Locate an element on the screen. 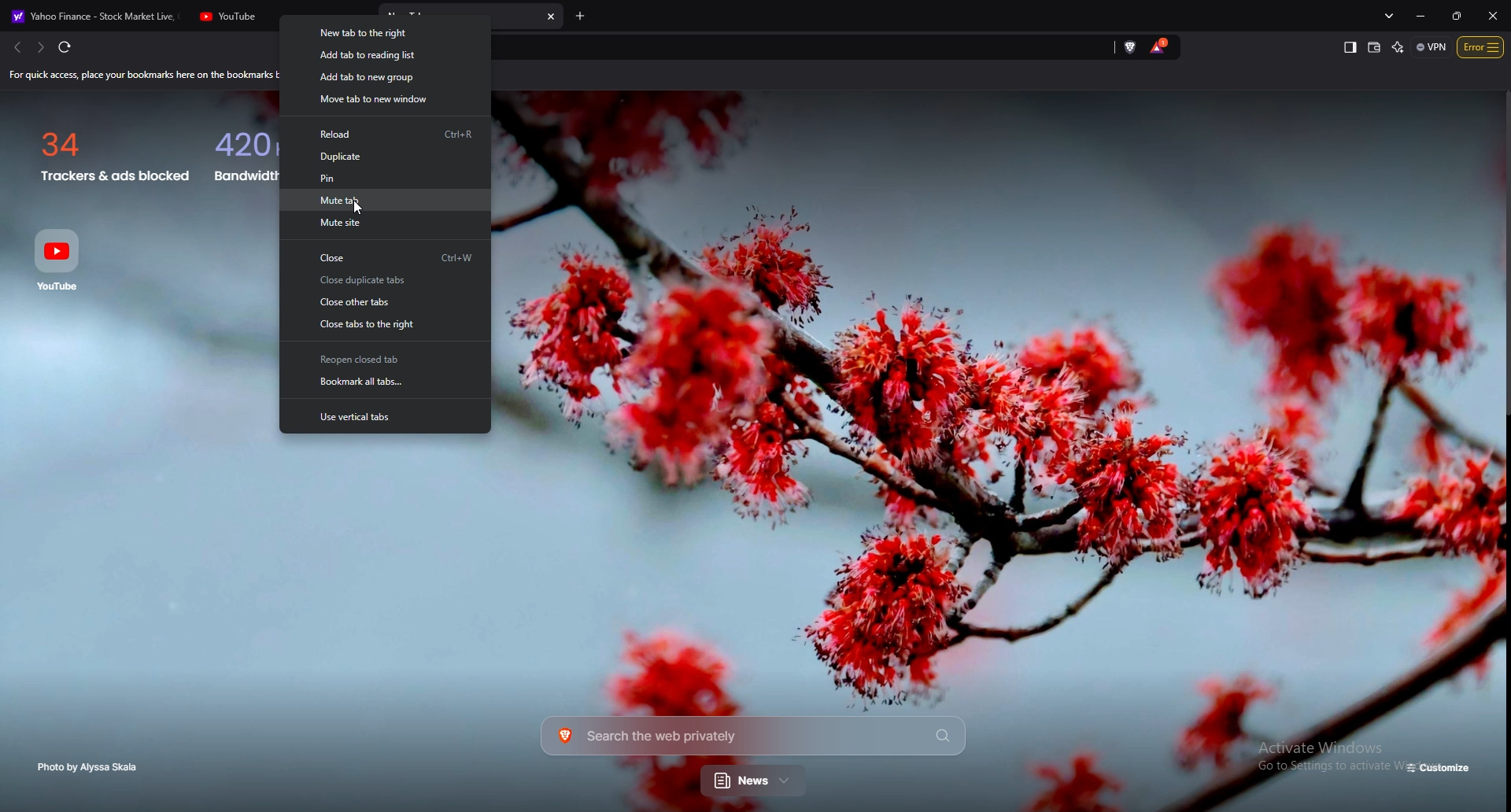 This screenshot has width=1511, height=812. Yahoo Finance - Stock Market is located at coordinates (94, 16).